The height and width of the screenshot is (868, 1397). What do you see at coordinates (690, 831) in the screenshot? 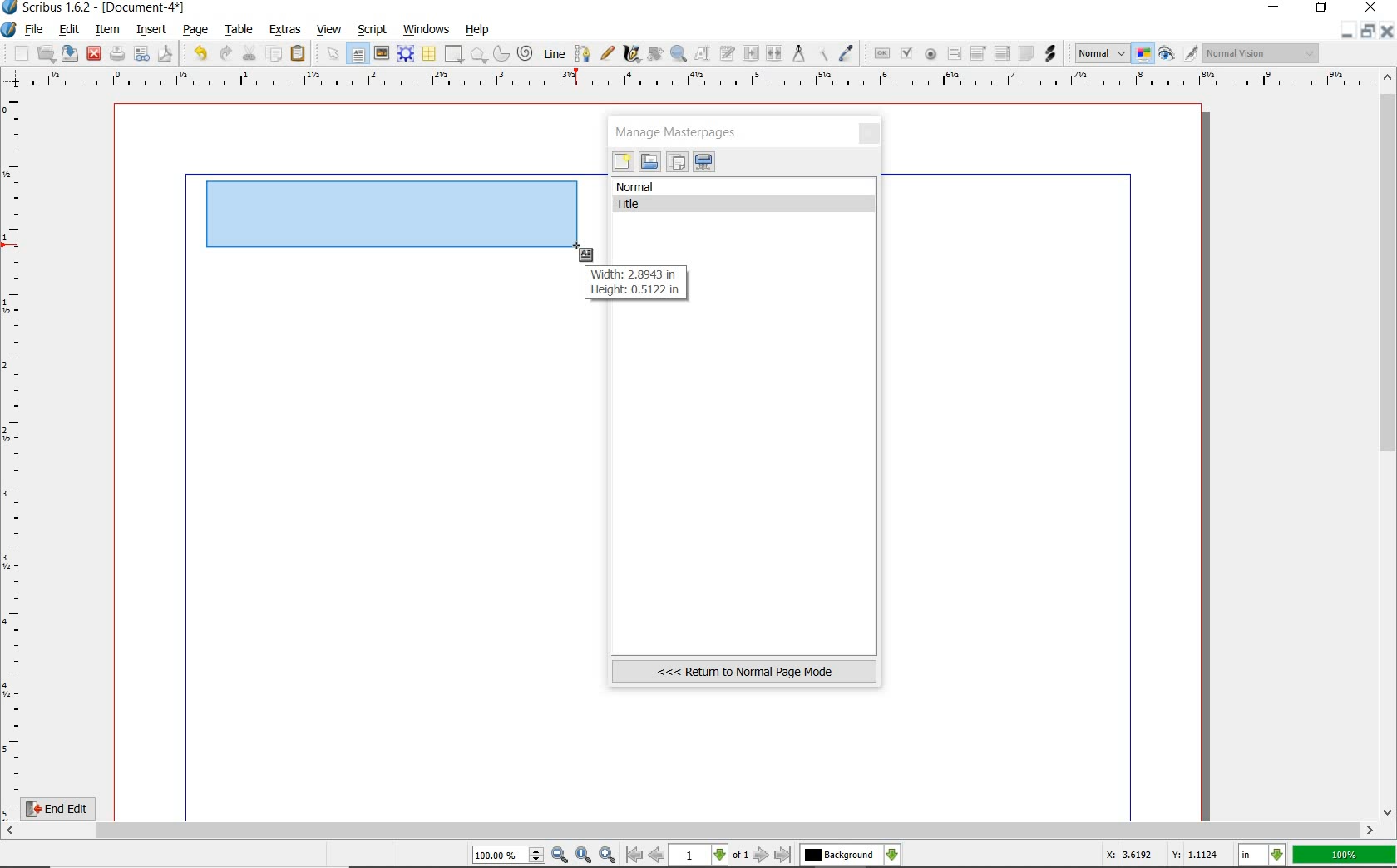
I see `scrollbar` at bounding box center [690, 831].